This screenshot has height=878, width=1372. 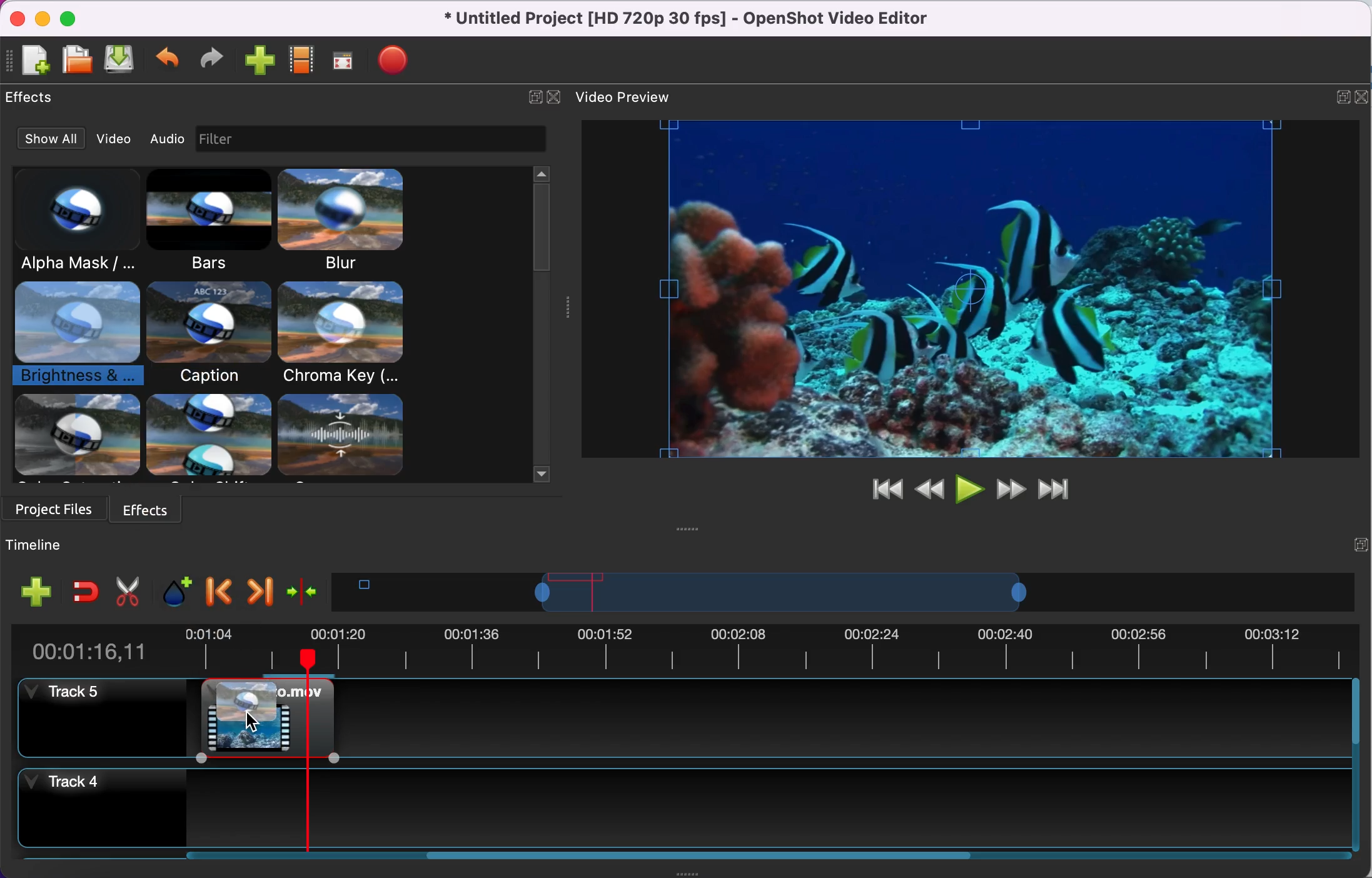 I want to click on fast forward, so click(x=1009, y=489).